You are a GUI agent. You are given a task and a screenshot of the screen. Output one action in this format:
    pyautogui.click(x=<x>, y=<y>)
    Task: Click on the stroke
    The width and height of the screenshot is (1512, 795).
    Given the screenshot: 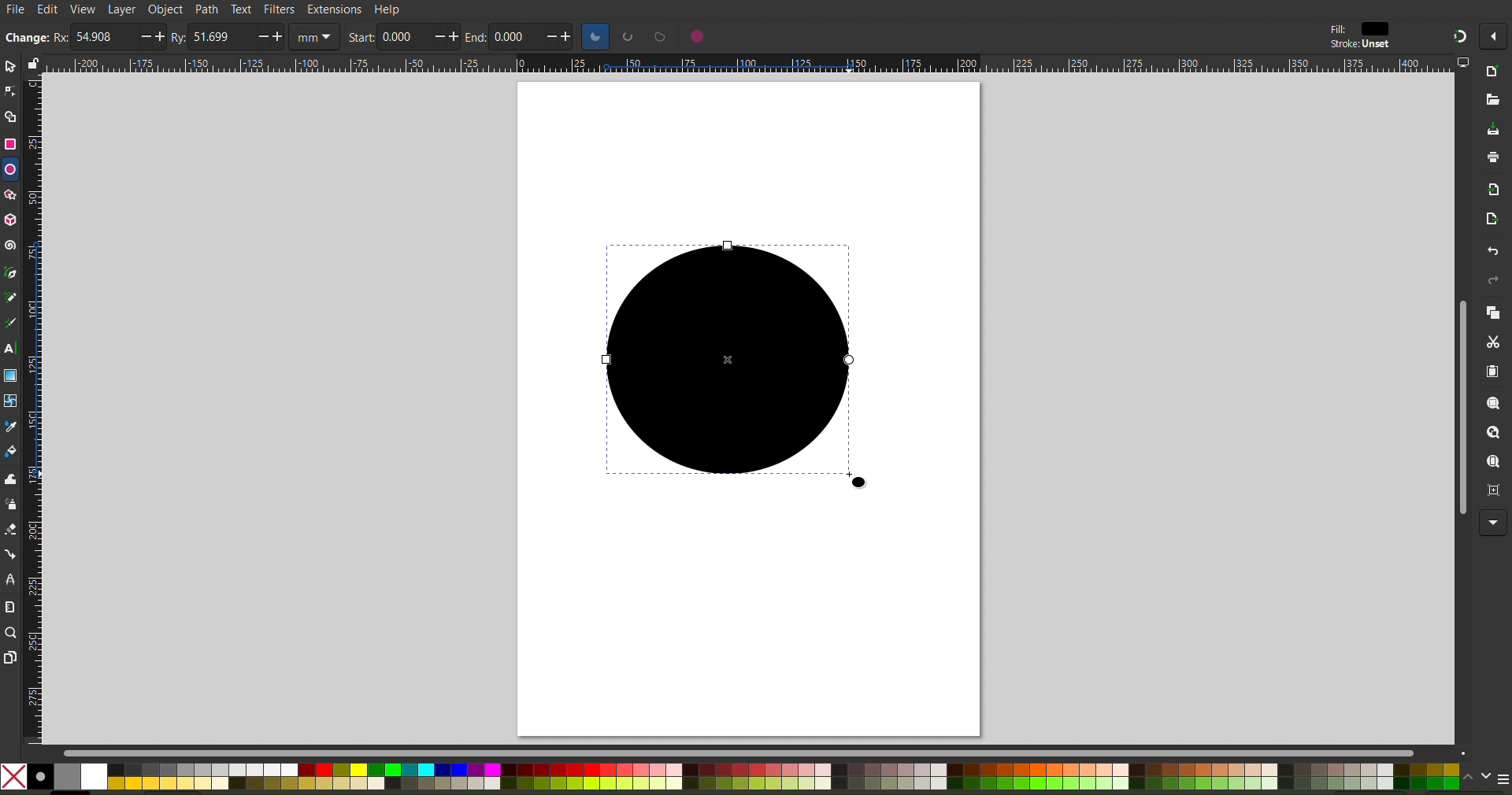 What is the action you would take?
    pyautogui.click(x=1362, y=44)
    